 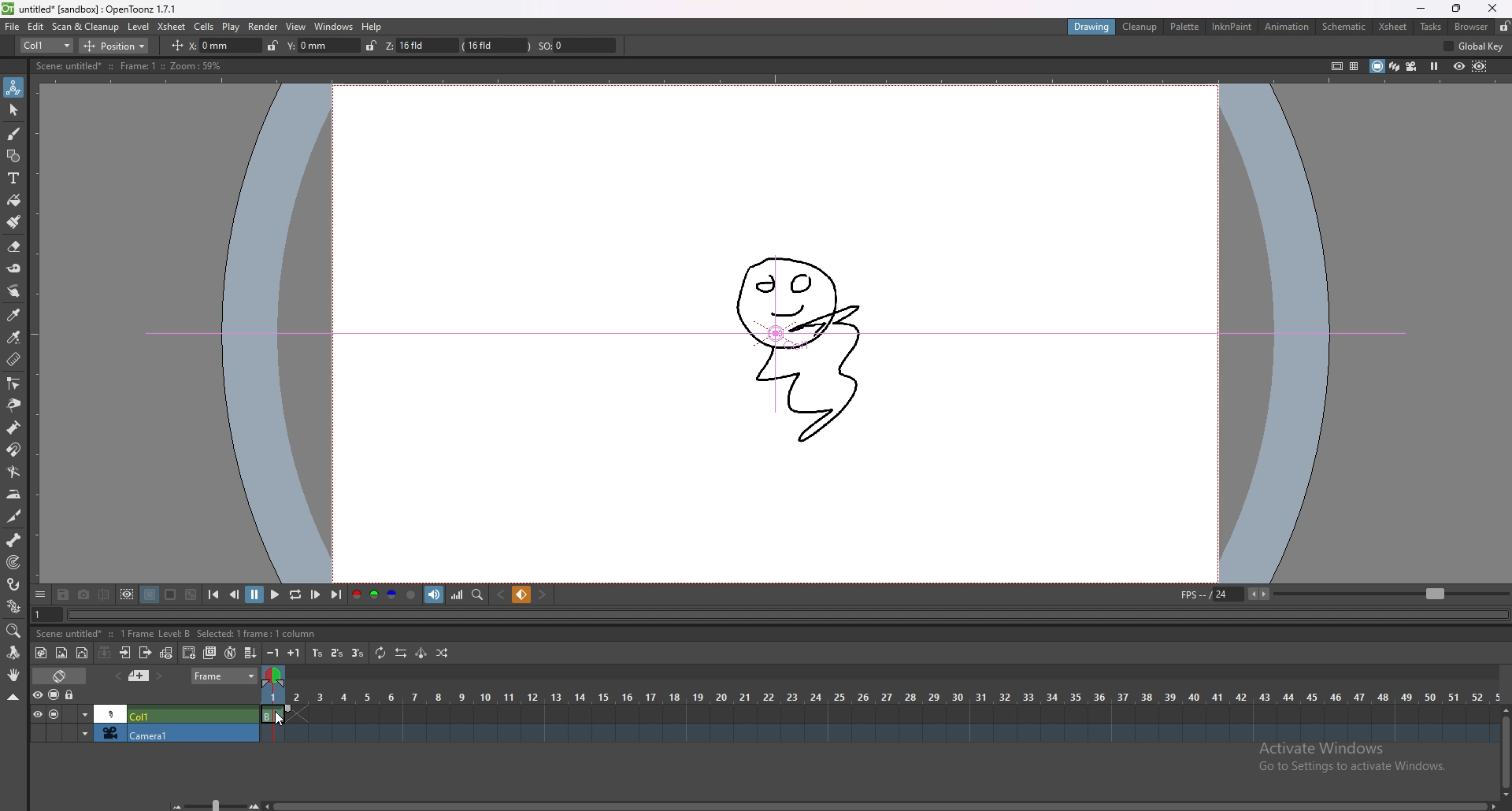 I want to click on column 1 timeline, so click(x=877, y=716).